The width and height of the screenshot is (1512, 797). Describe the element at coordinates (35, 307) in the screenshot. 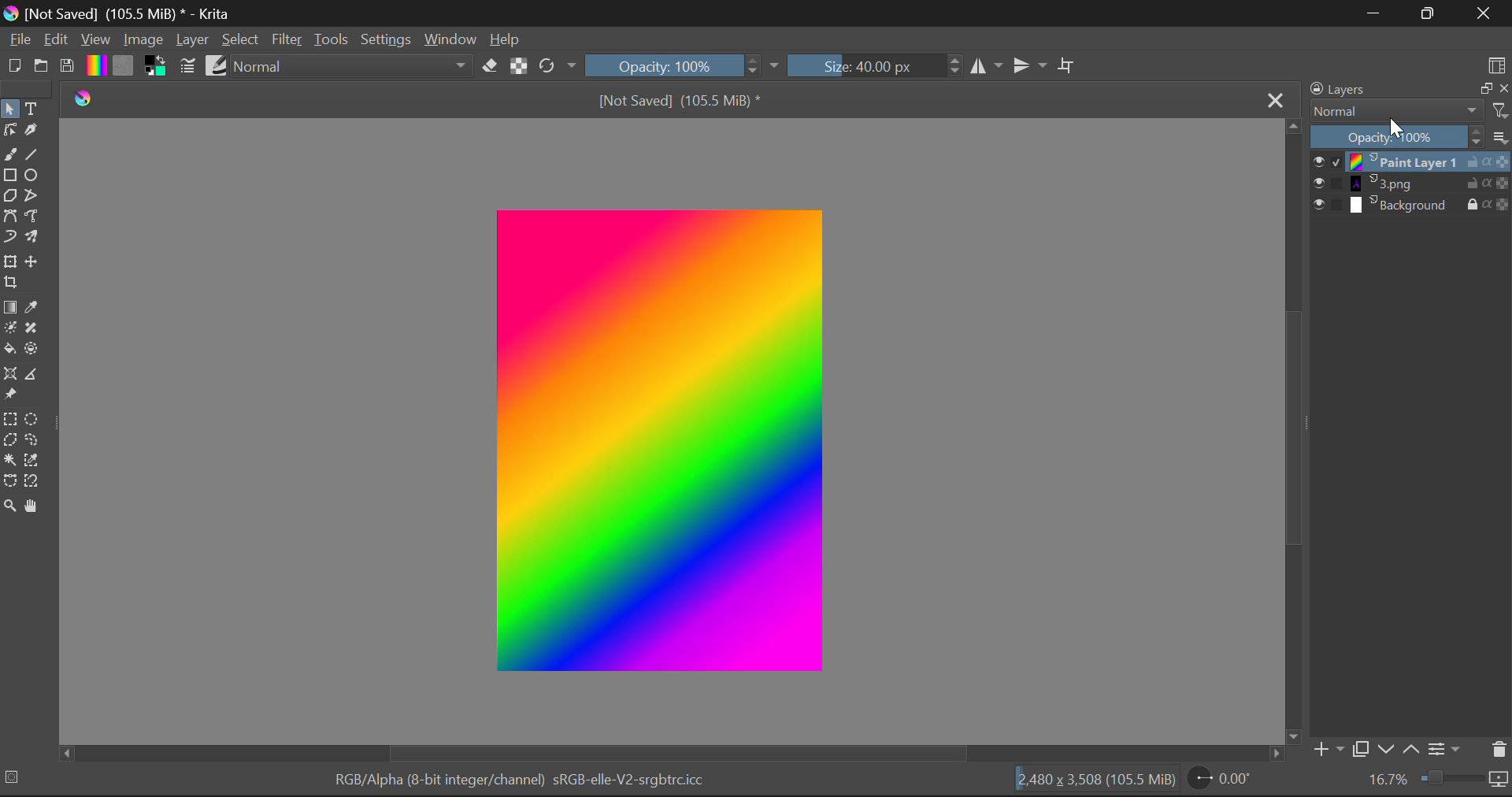

I see `Eyedropper` at that location.